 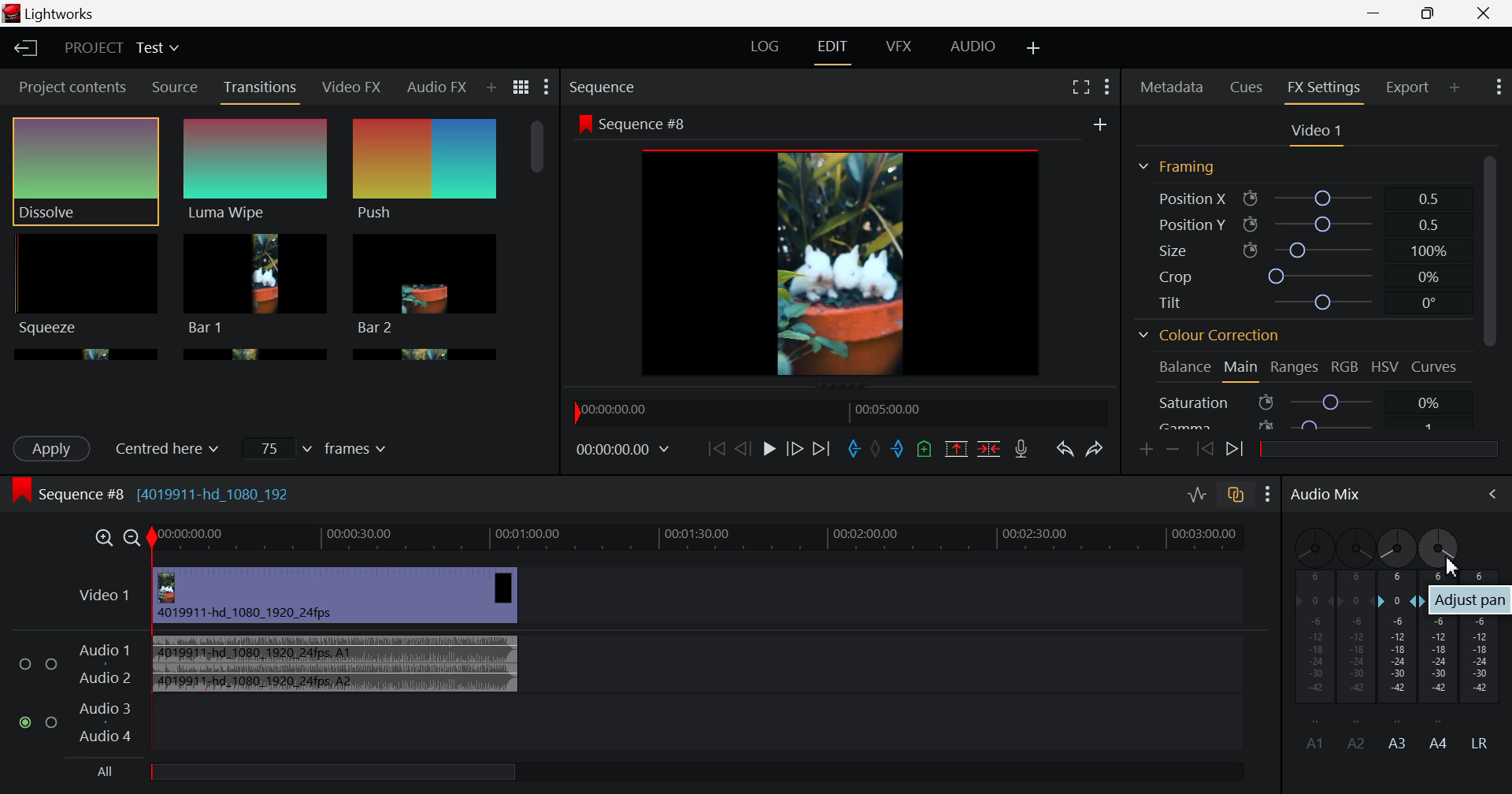 I want to click on Cursor on Audio Mix, so click(x=1484, y=495).